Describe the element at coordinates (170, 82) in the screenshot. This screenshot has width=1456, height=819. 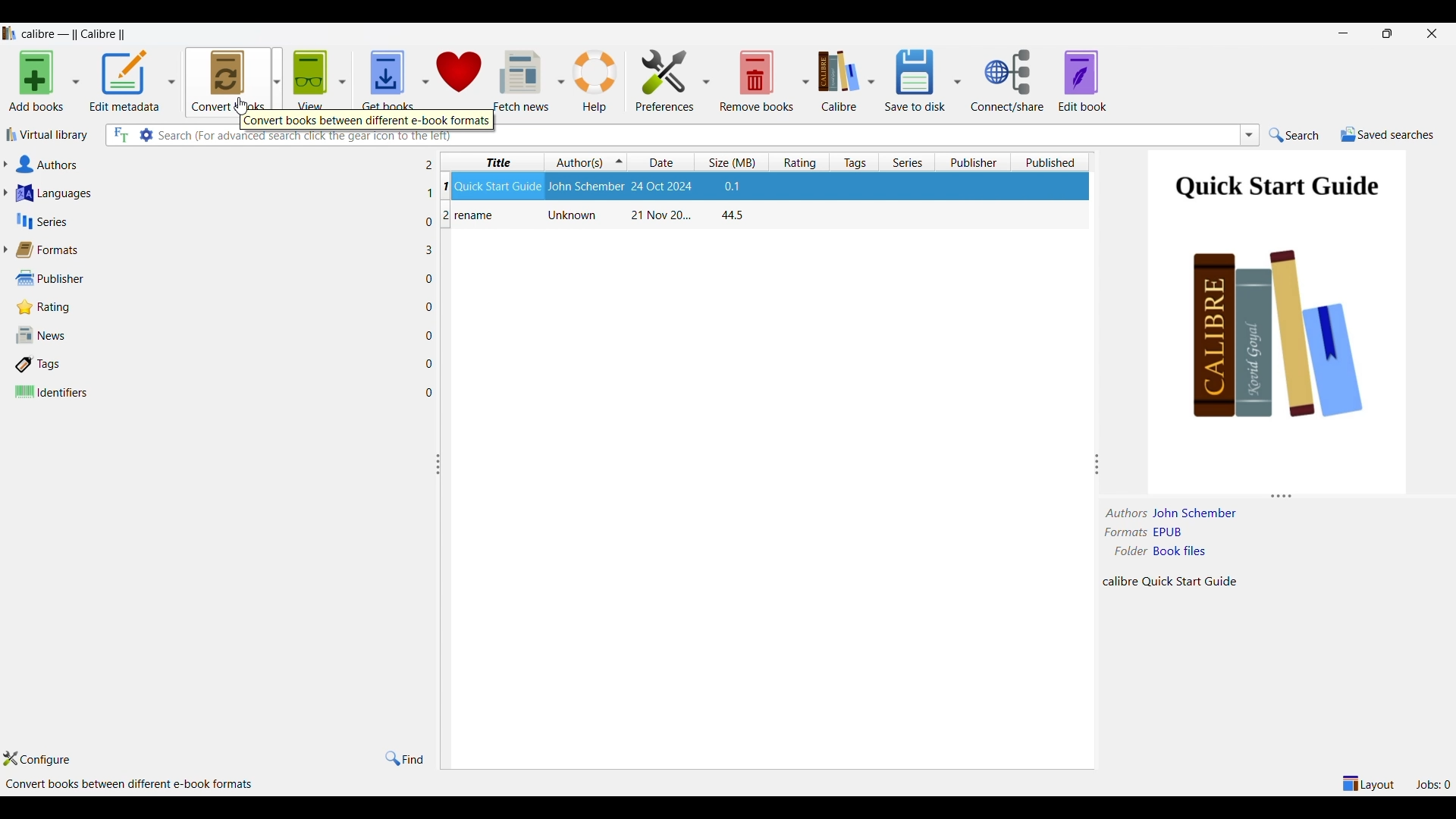
I see `Edit metadata options` at that location.